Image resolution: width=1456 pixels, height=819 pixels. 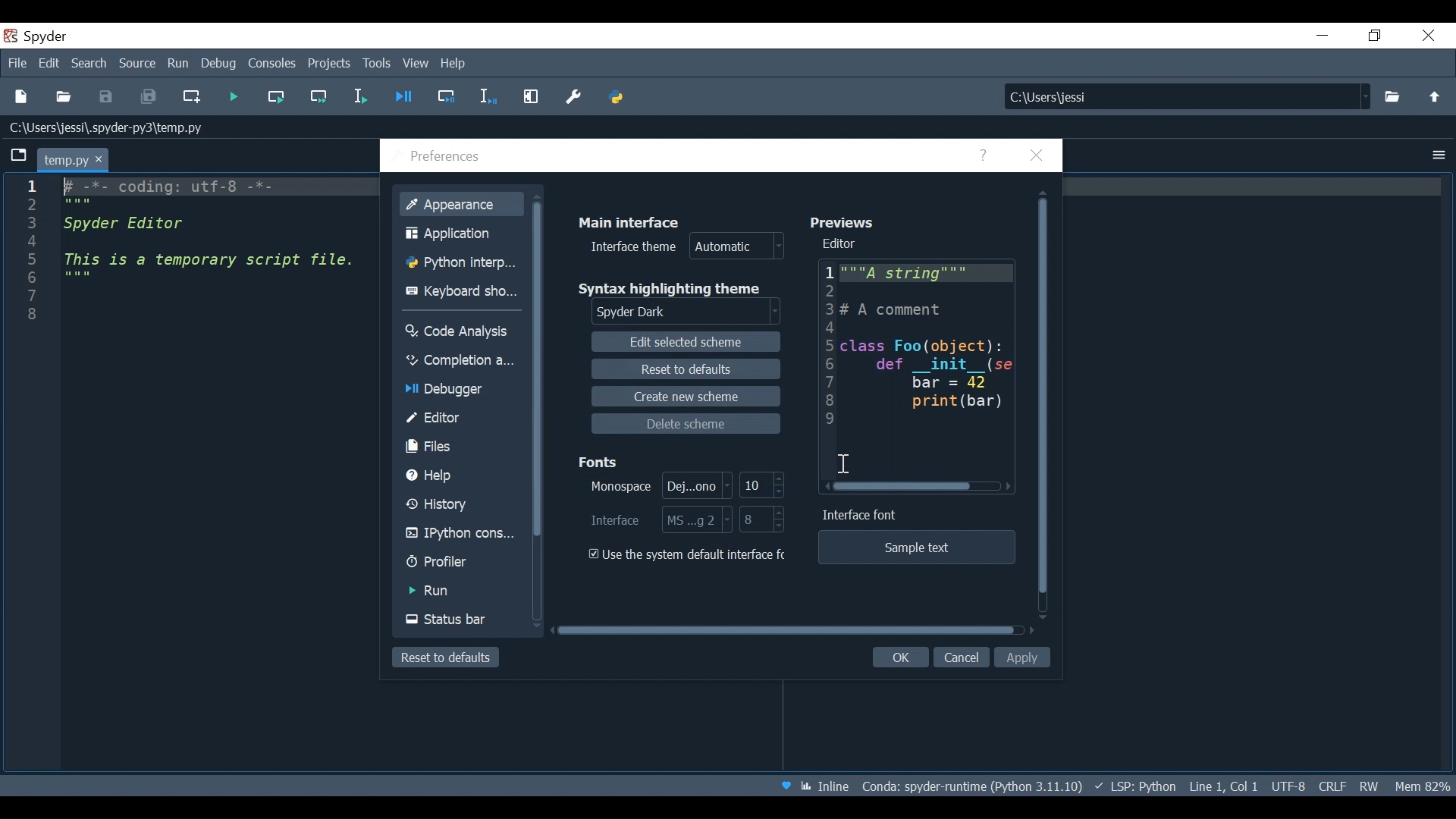 I want to click on Run the current cell, so click(x=275, y=98).